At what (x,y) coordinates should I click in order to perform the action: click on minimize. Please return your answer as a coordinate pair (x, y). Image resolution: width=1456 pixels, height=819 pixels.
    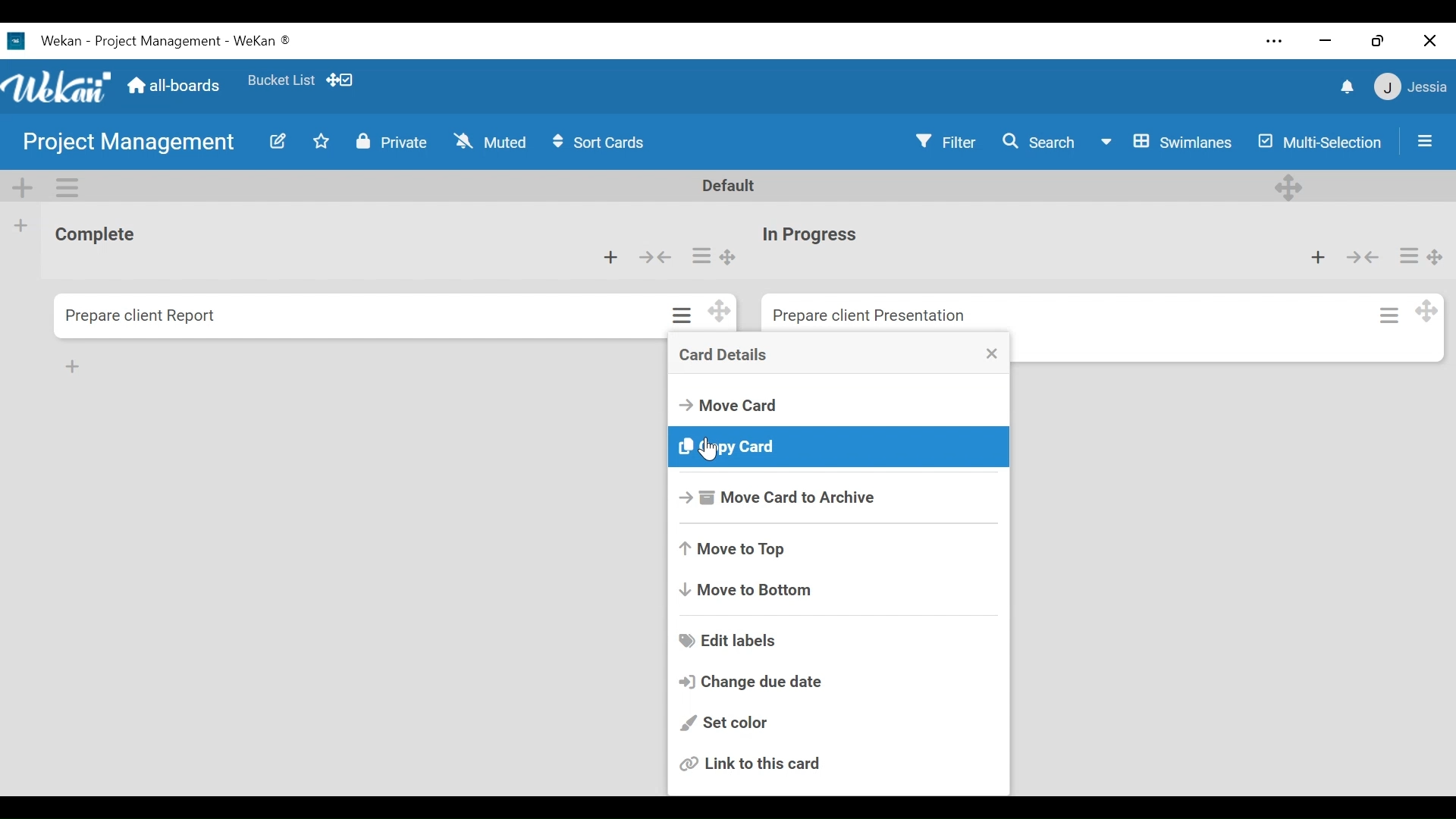
    Looking at the image, I should click on (1326, 40).